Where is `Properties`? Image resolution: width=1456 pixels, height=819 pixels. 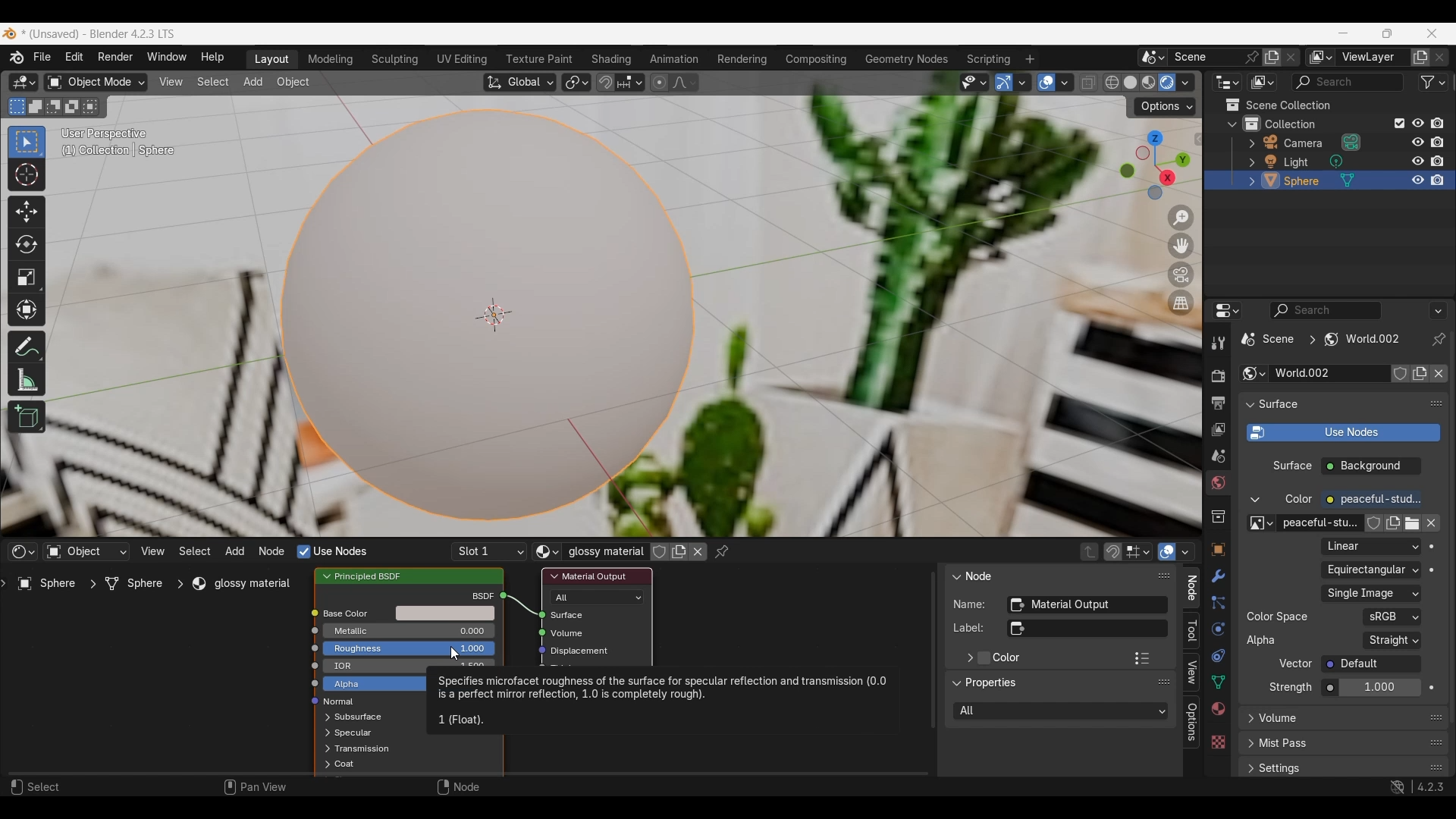
Properties is located at coordinates (992, 684).